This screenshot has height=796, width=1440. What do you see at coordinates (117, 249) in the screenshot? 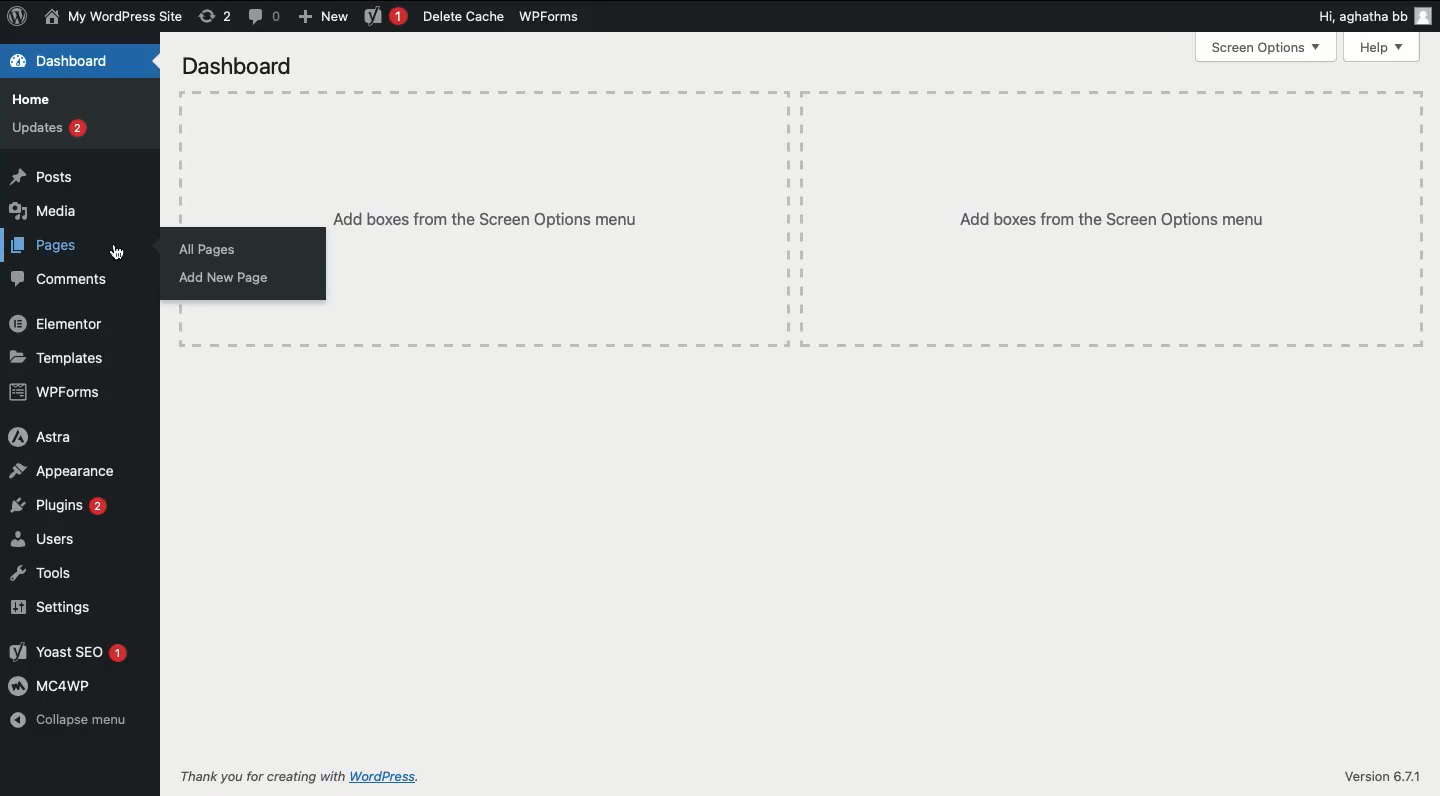
I see `Cursor` at bounding box center [117, 249].